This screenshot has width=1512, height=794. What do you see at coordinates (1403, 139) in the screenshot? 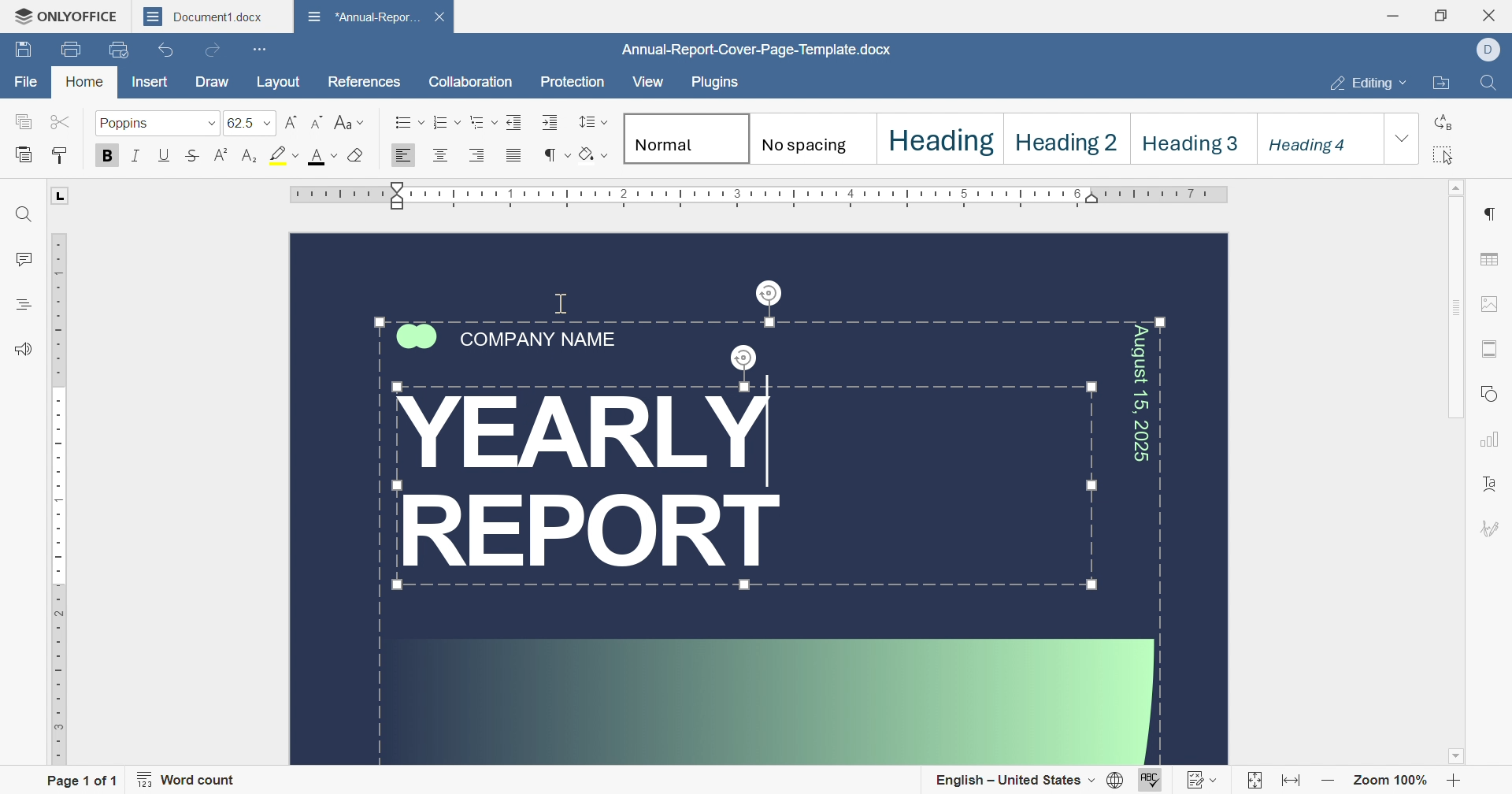
I see `drop down` at bounding box center [1403, 139].